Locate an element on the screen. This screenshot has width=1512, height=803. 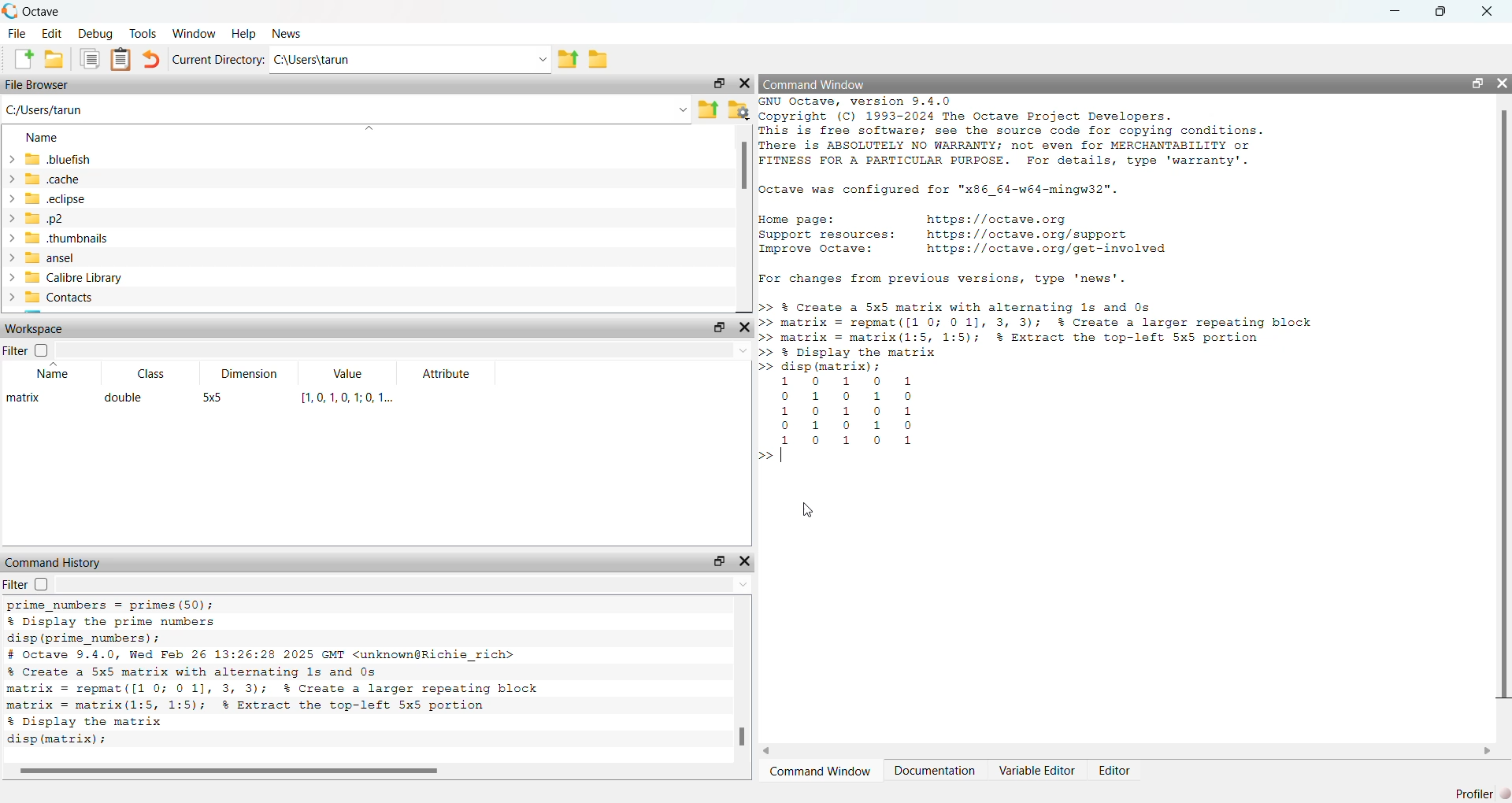
.p2 is located at coordinates (46, 219).